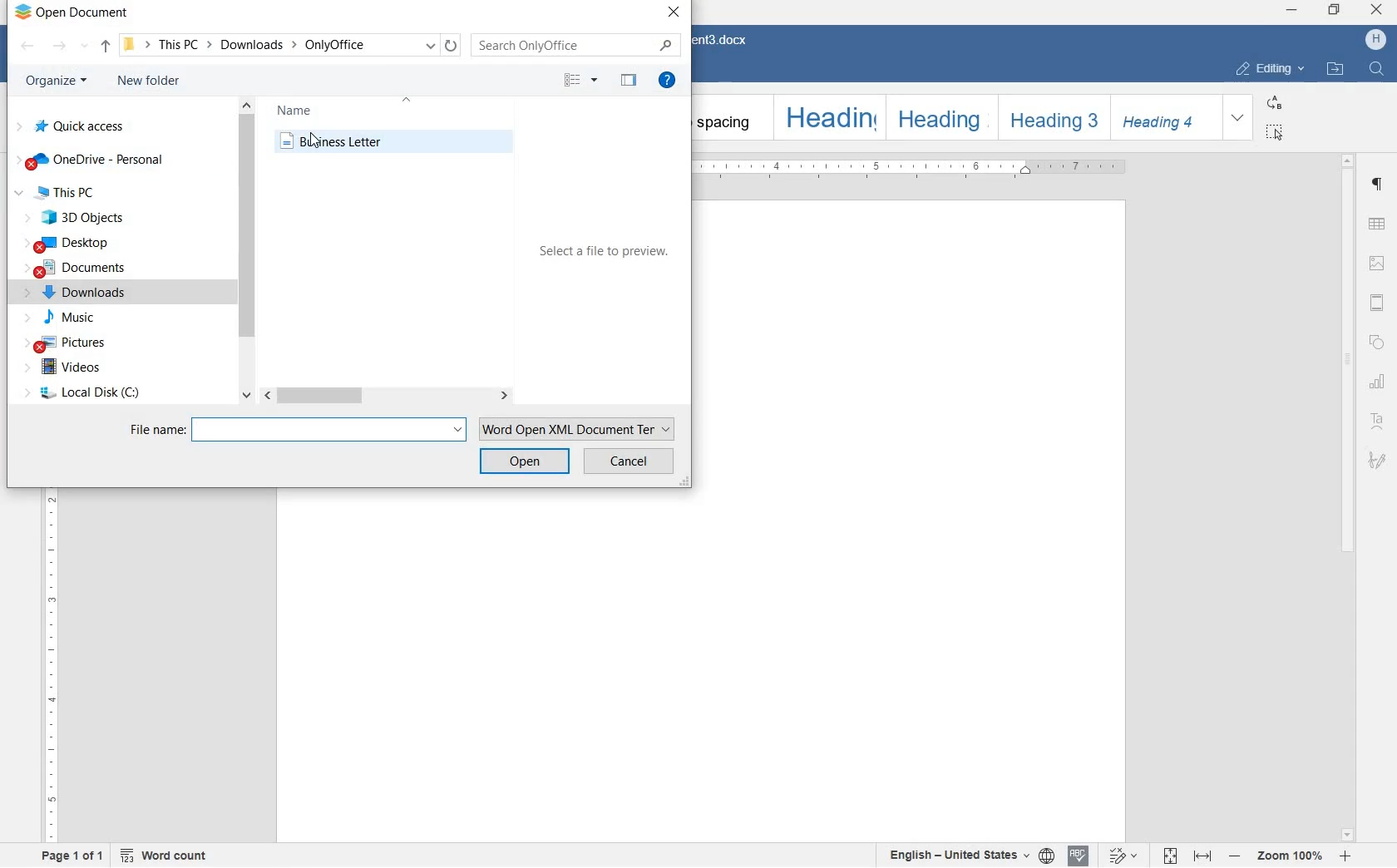 The height and width of the screenshot is (868, 1397). What do you see at coordinates (1375, 39) in the screenshot?
I see `user profile` at bounding box center [1375, 39].